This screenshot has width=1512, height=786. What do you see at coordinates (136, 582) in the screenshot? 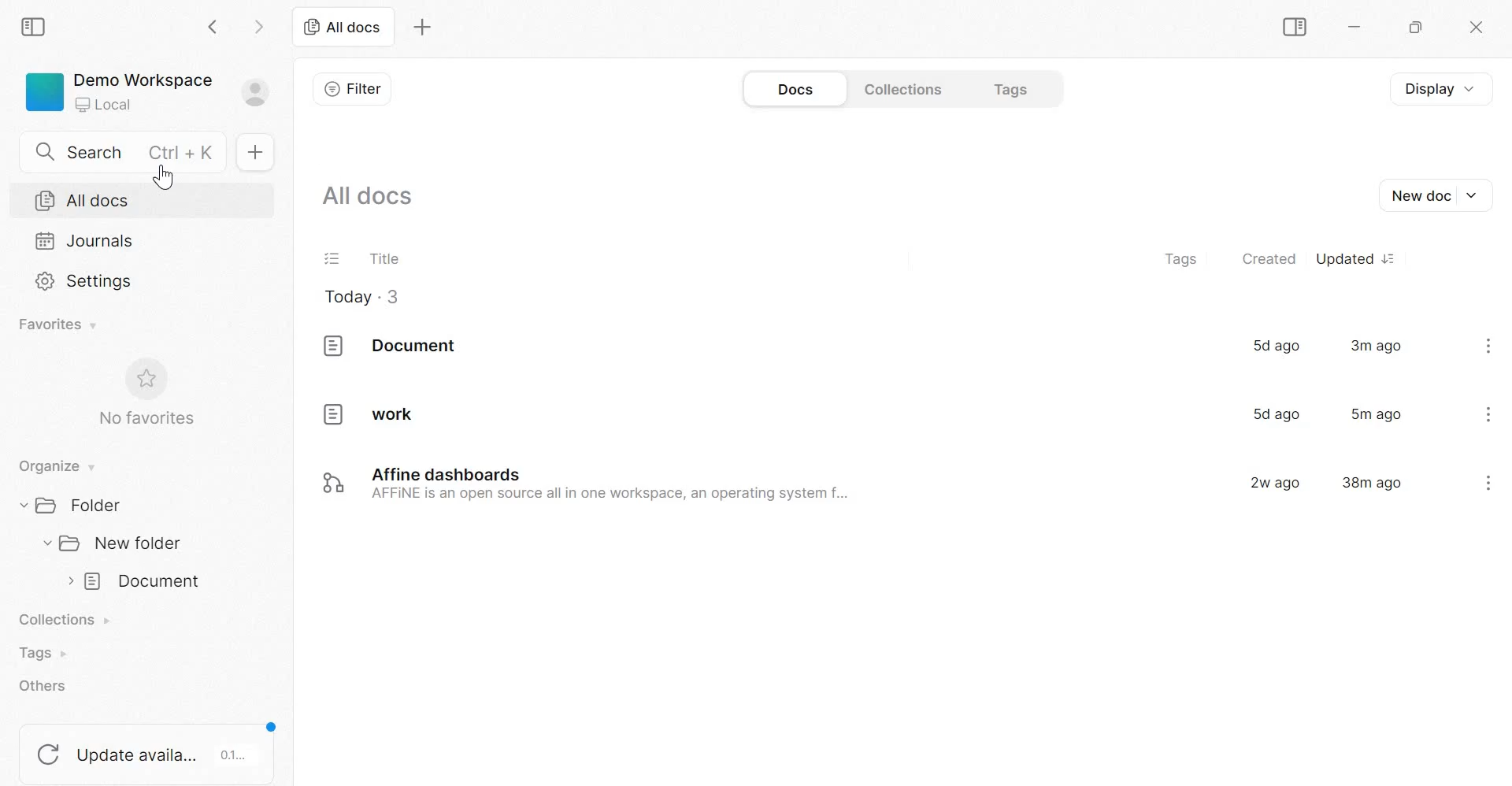
I see `Document` at bounding box center [136, 582].